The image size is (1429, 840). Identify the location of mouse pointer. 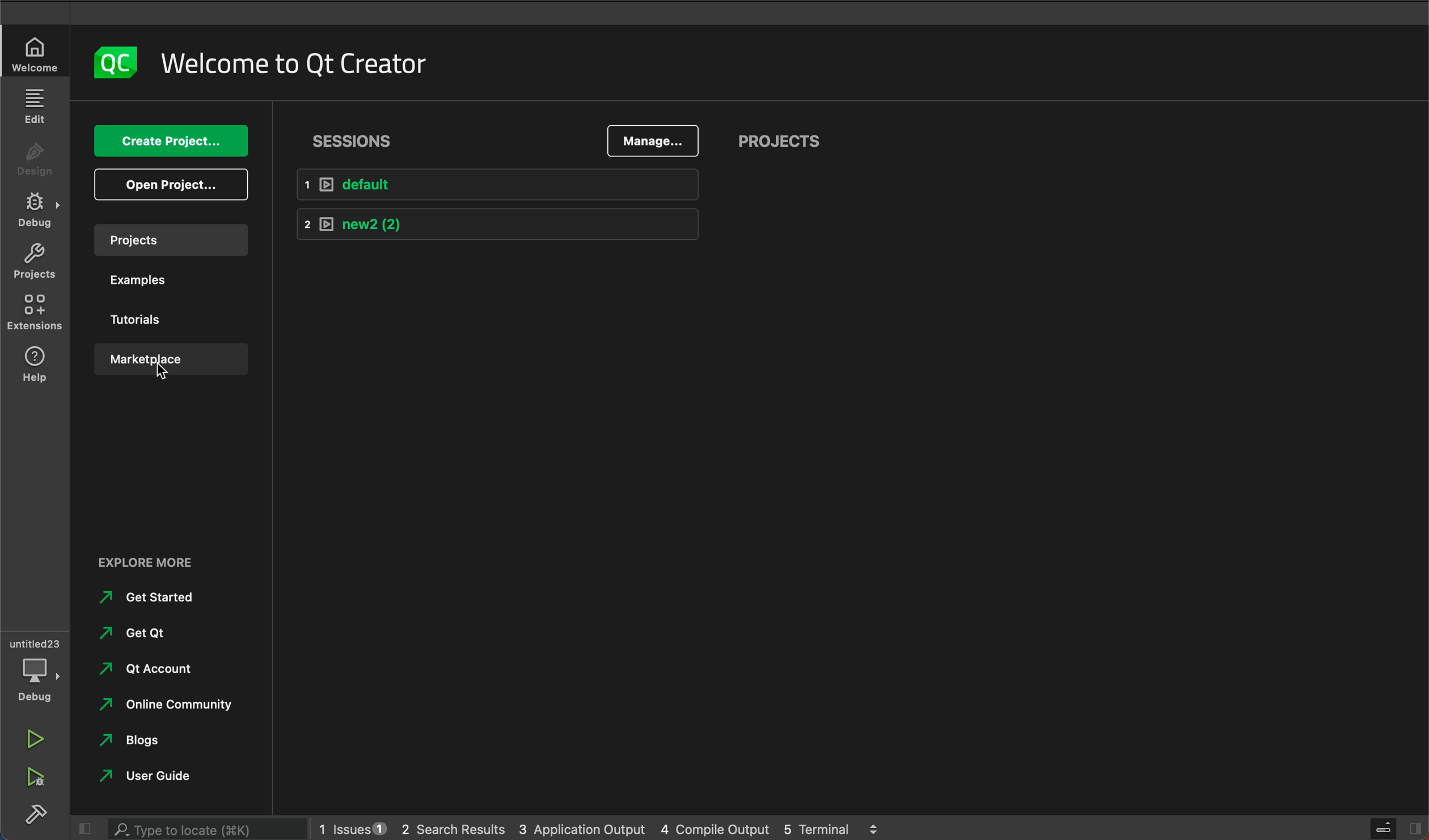
(163, 375).